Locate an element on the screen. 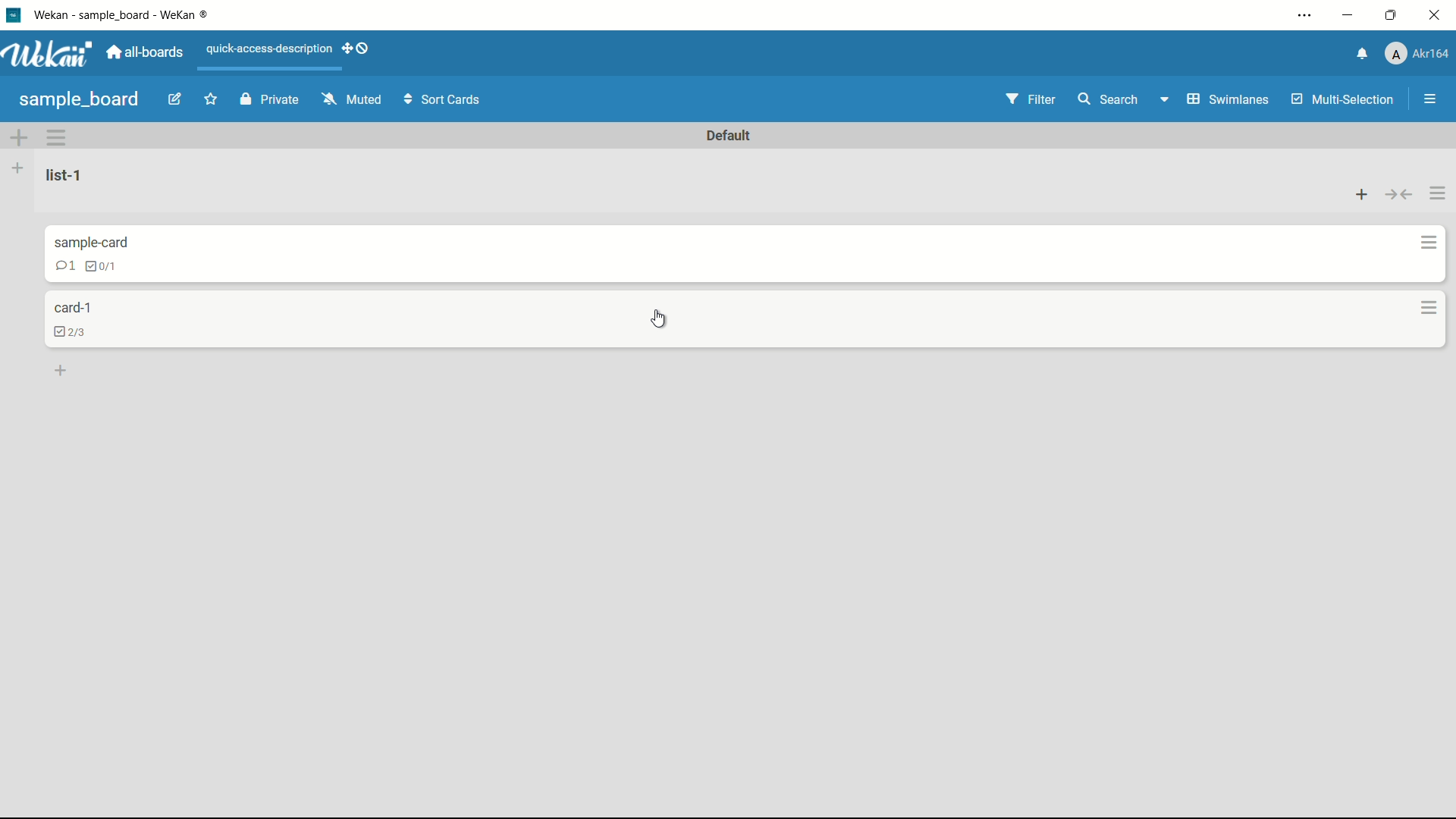 This screenshot has width=1456, height=819. all boards is located at coordinates (145, 54).